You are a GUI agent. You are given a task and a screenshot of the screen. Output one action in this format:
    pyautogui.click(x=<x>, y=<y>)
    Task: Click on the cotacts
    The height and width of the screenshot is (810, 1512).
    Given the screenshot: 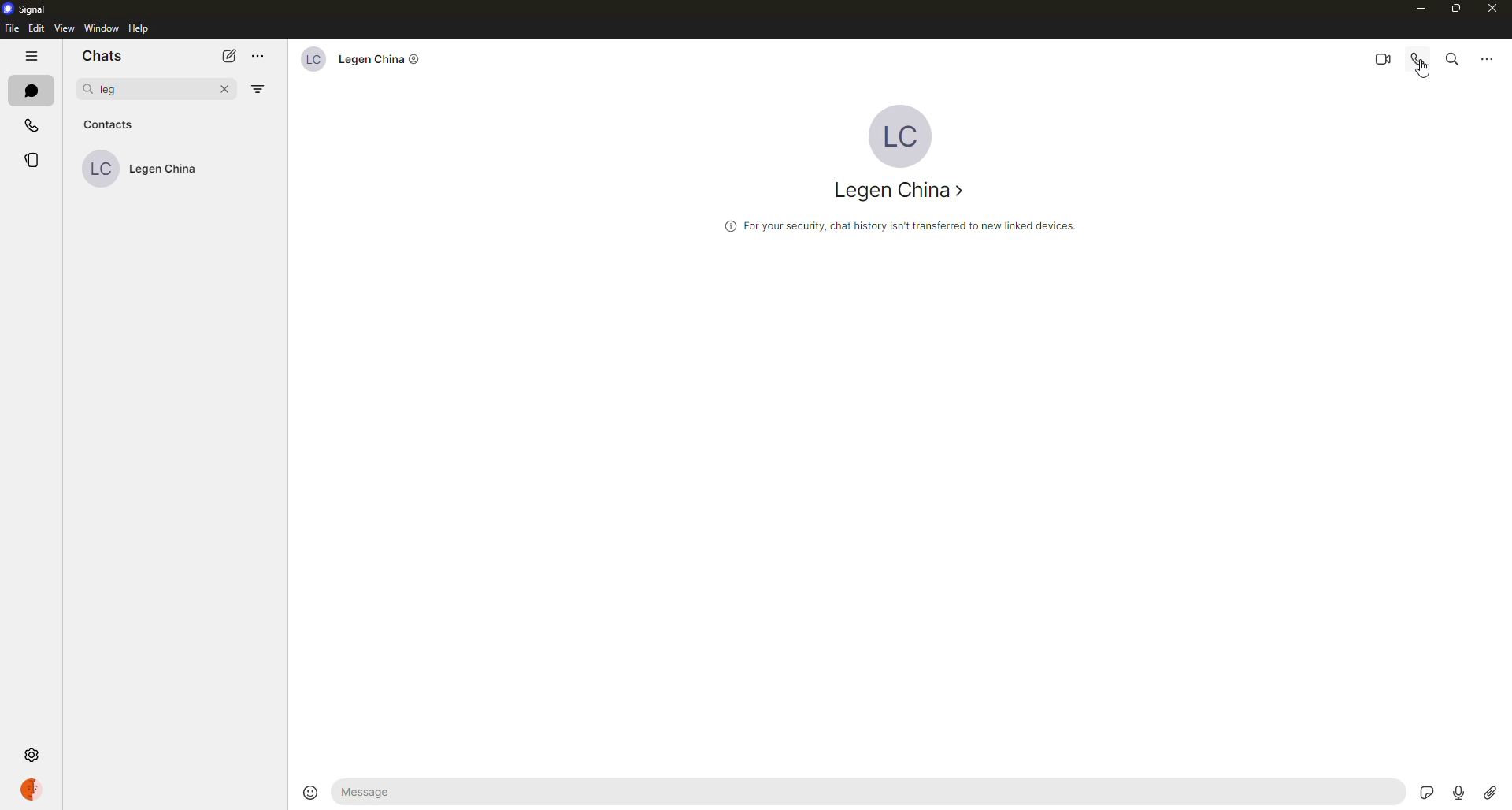 What is the action you would take?
    pyautogui.click(x=108, y=124)
    